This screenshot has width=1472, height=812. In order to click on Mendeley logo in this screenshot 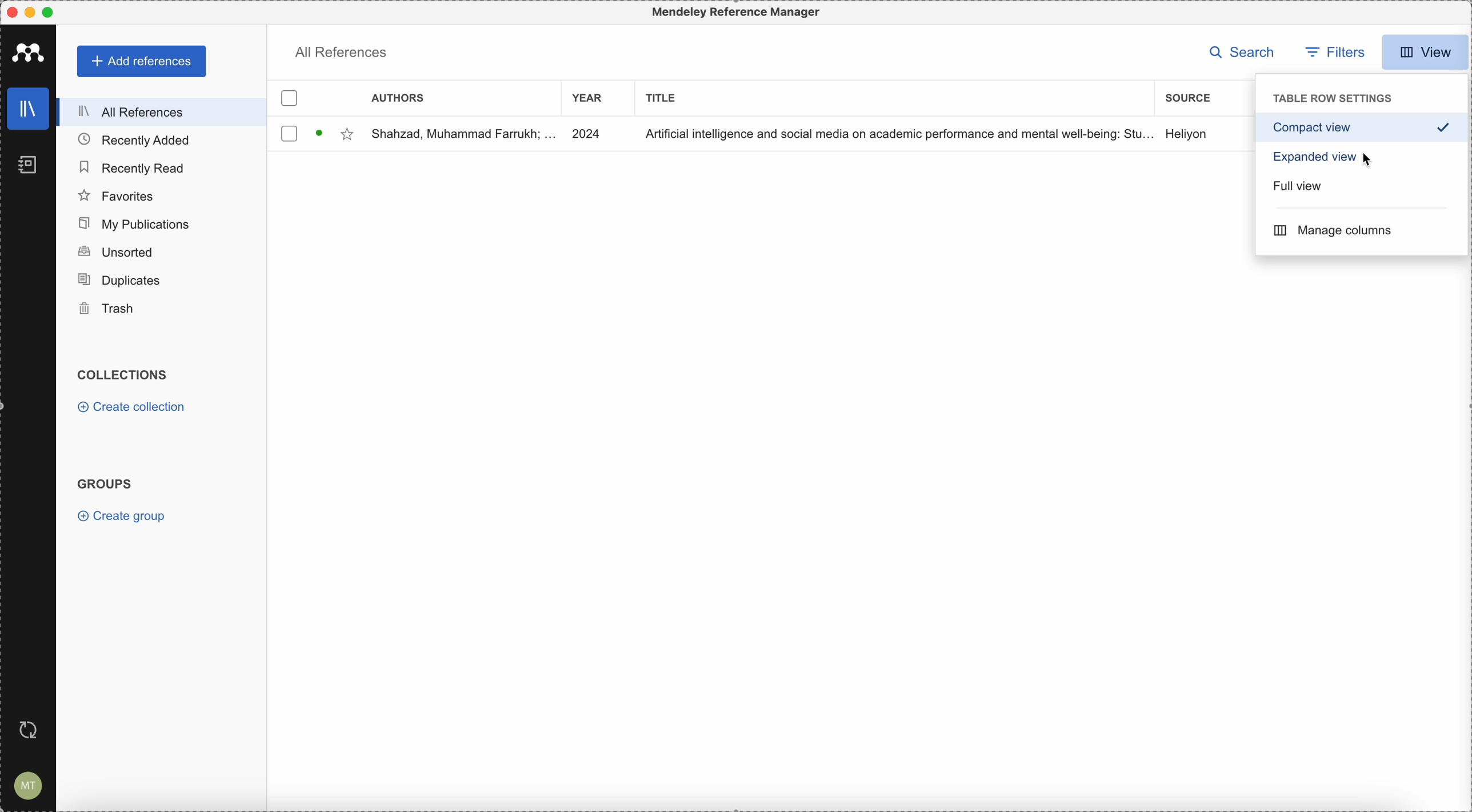, I will do `click(29, 51)`.